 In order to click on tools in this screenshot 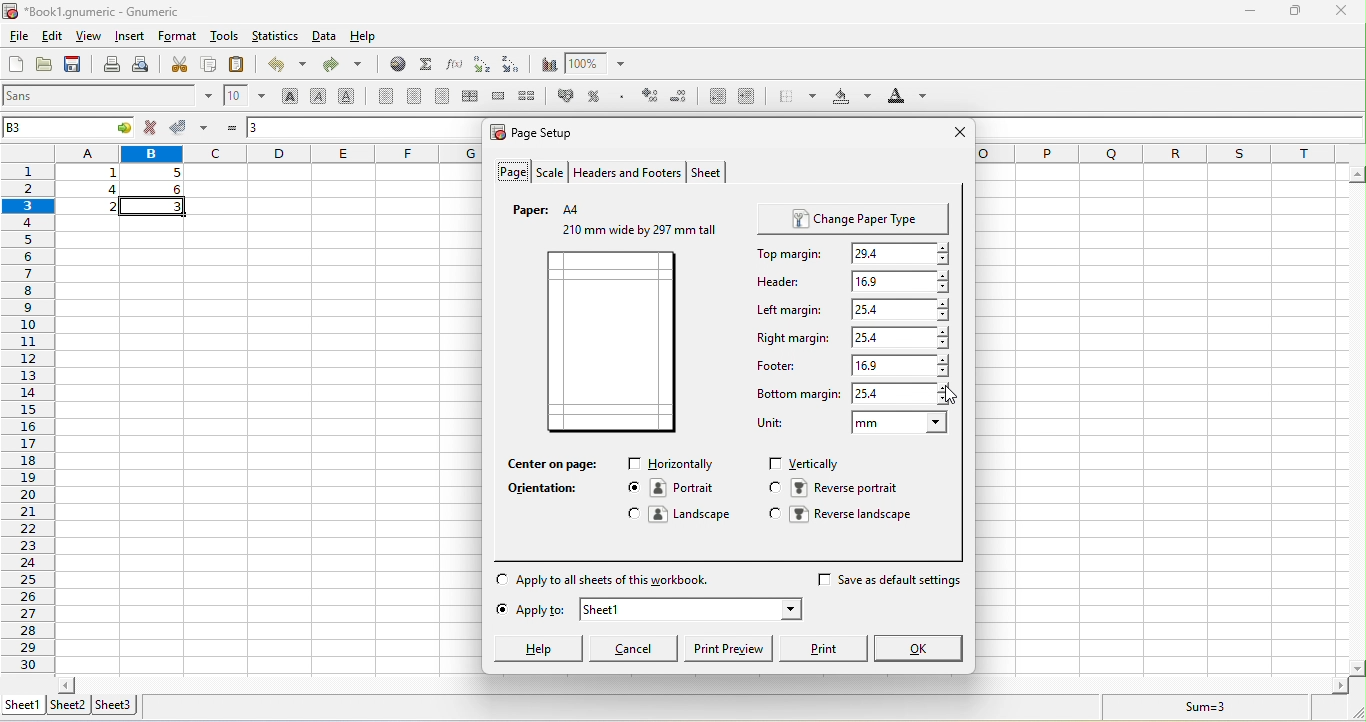, I will do `click(224, 39)`.